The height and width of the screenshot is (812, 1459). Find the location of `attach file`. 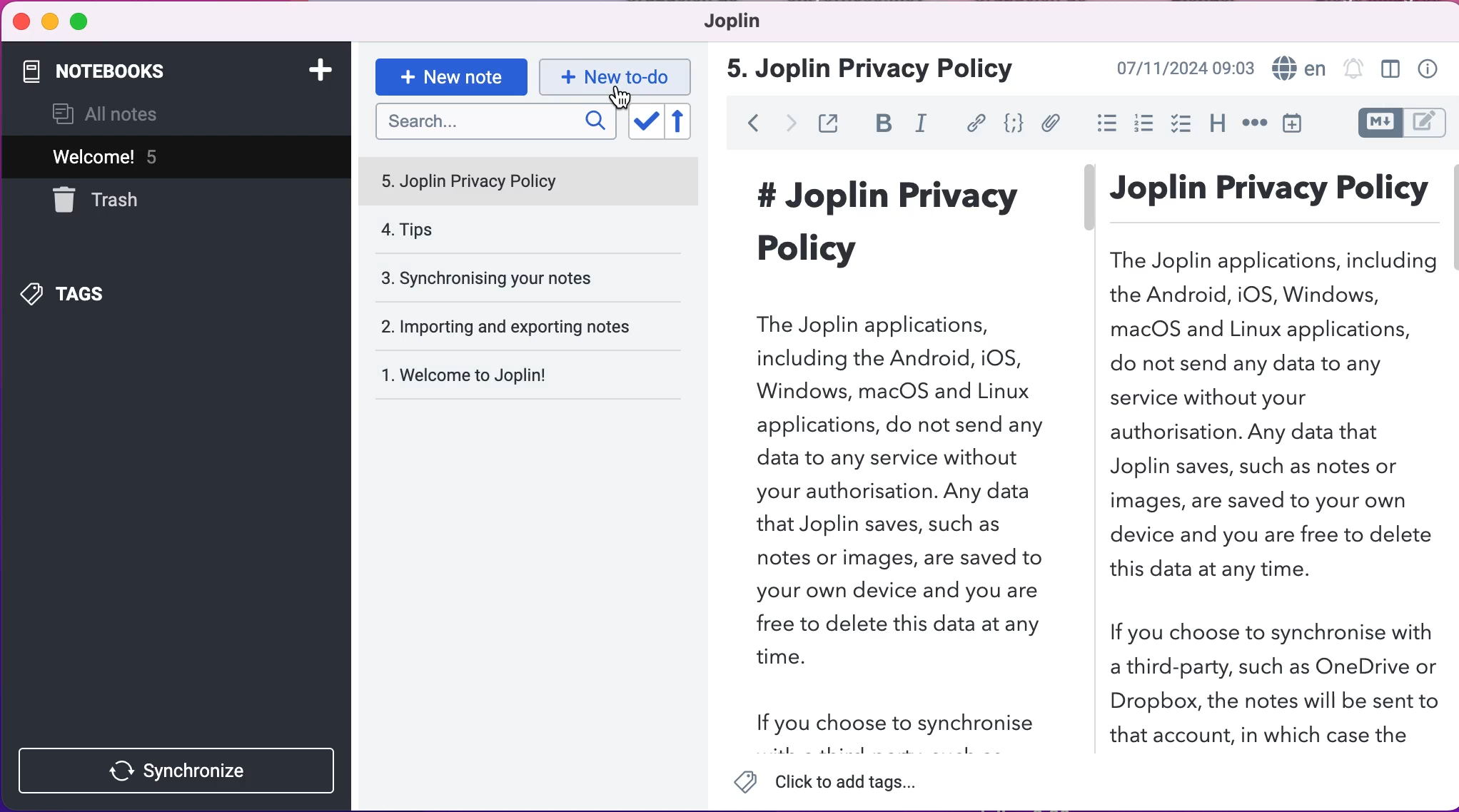

attach file is located at coordinates (1049, 123).